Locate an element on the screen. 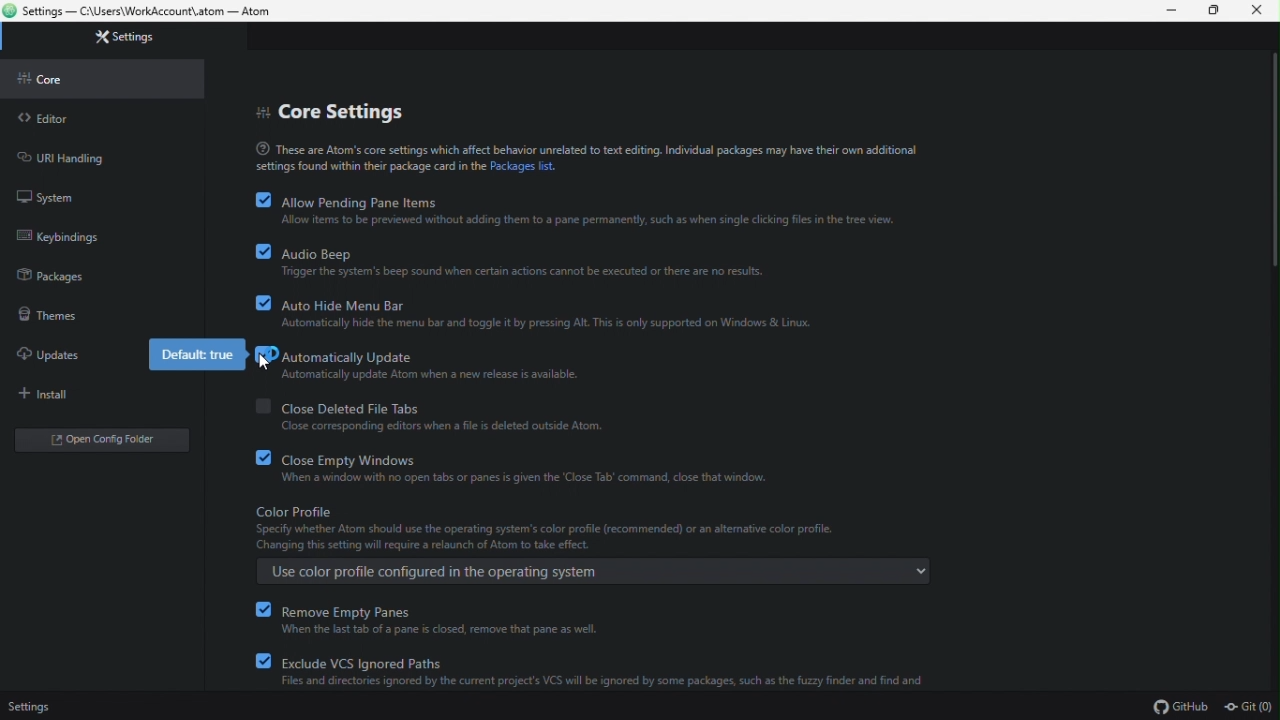  core is located at coordinates (46, 77).